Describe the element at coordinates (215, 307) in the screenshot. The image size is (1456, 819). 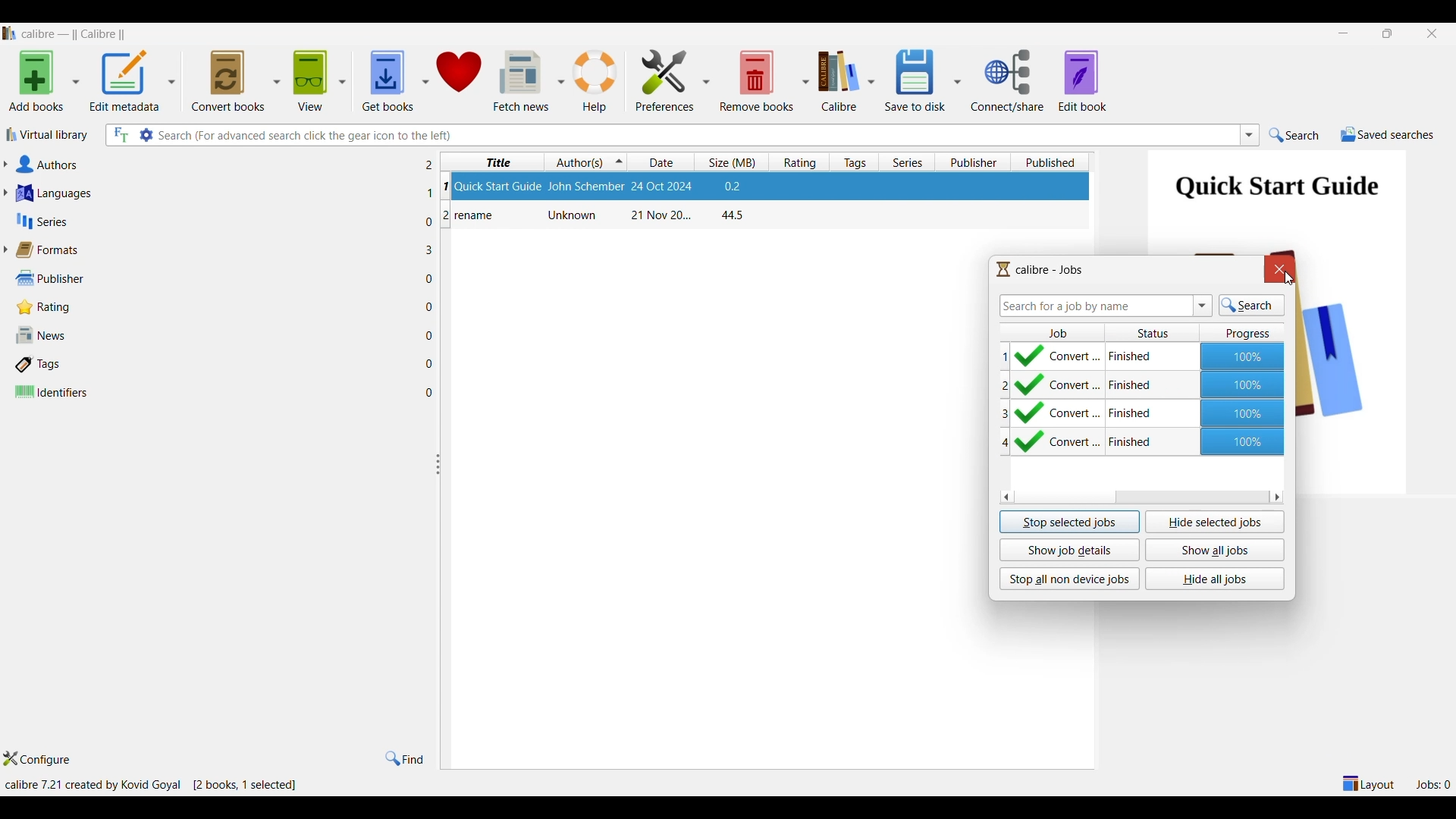
I see `Rating` at that location.